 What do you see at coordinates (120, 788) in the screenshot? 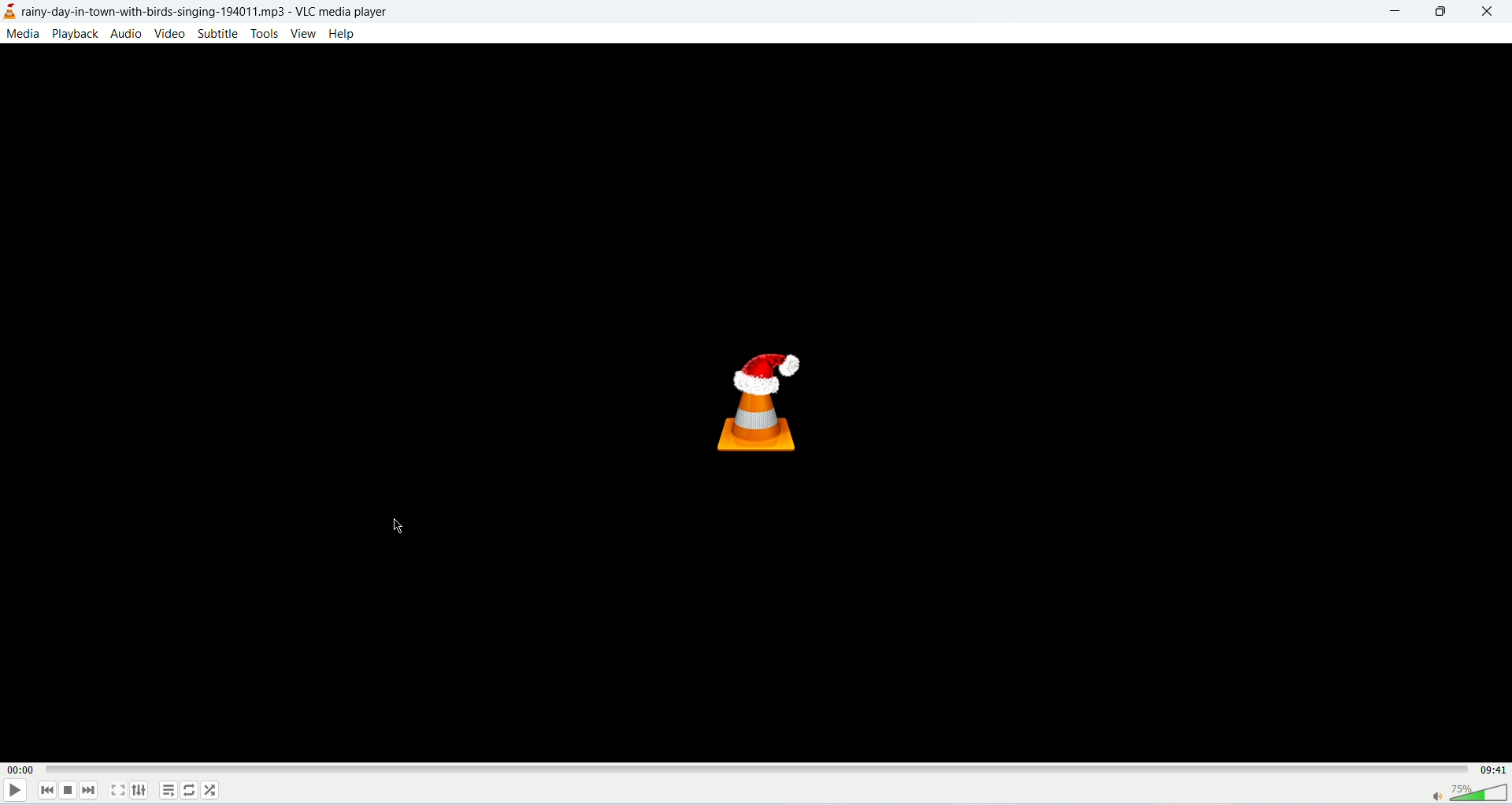
I see `fullscreen` at bounding box center [120, 788].